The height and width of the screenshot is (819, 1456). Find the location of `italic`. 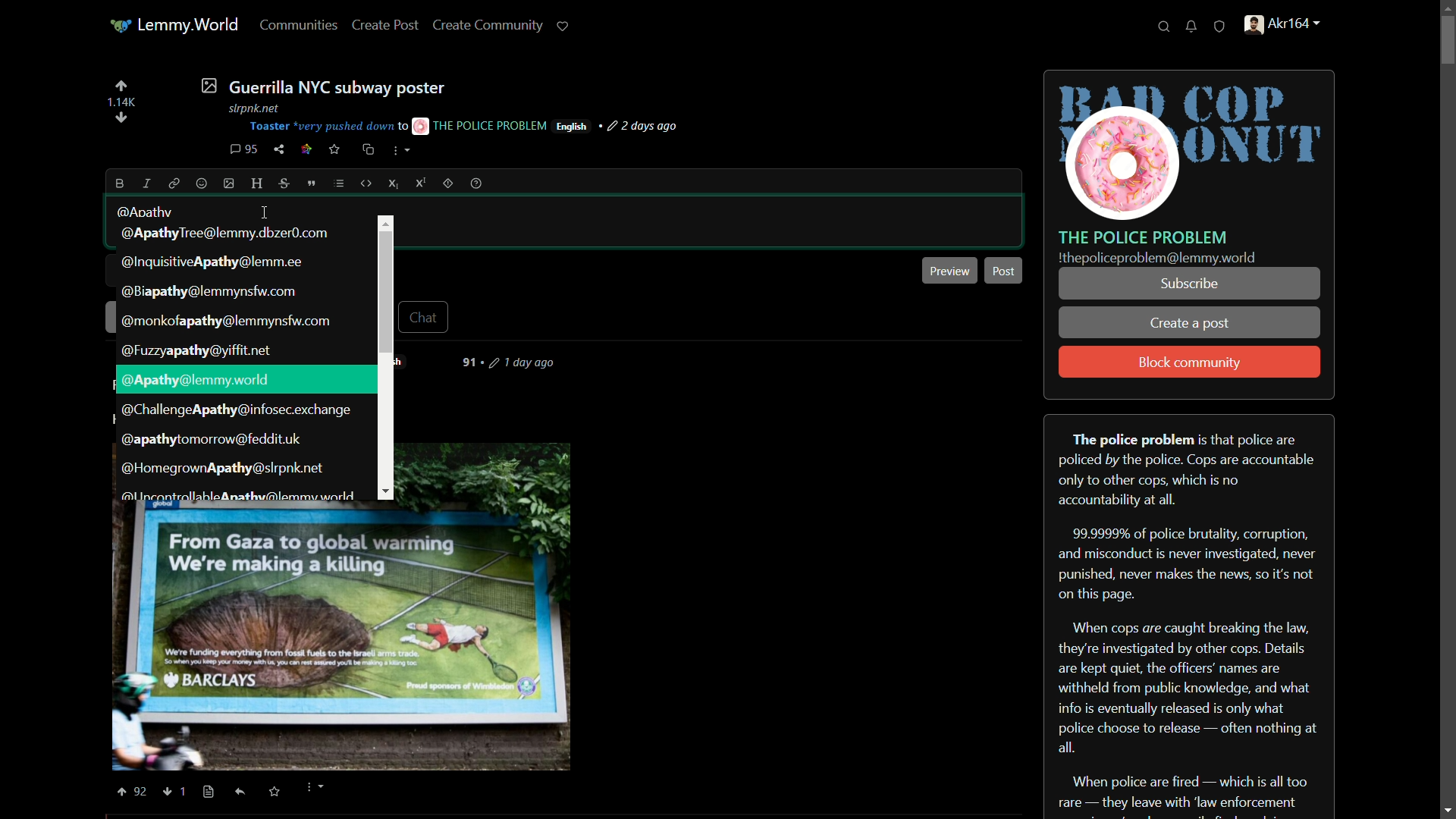

italic is located at coordinates (145, 183).